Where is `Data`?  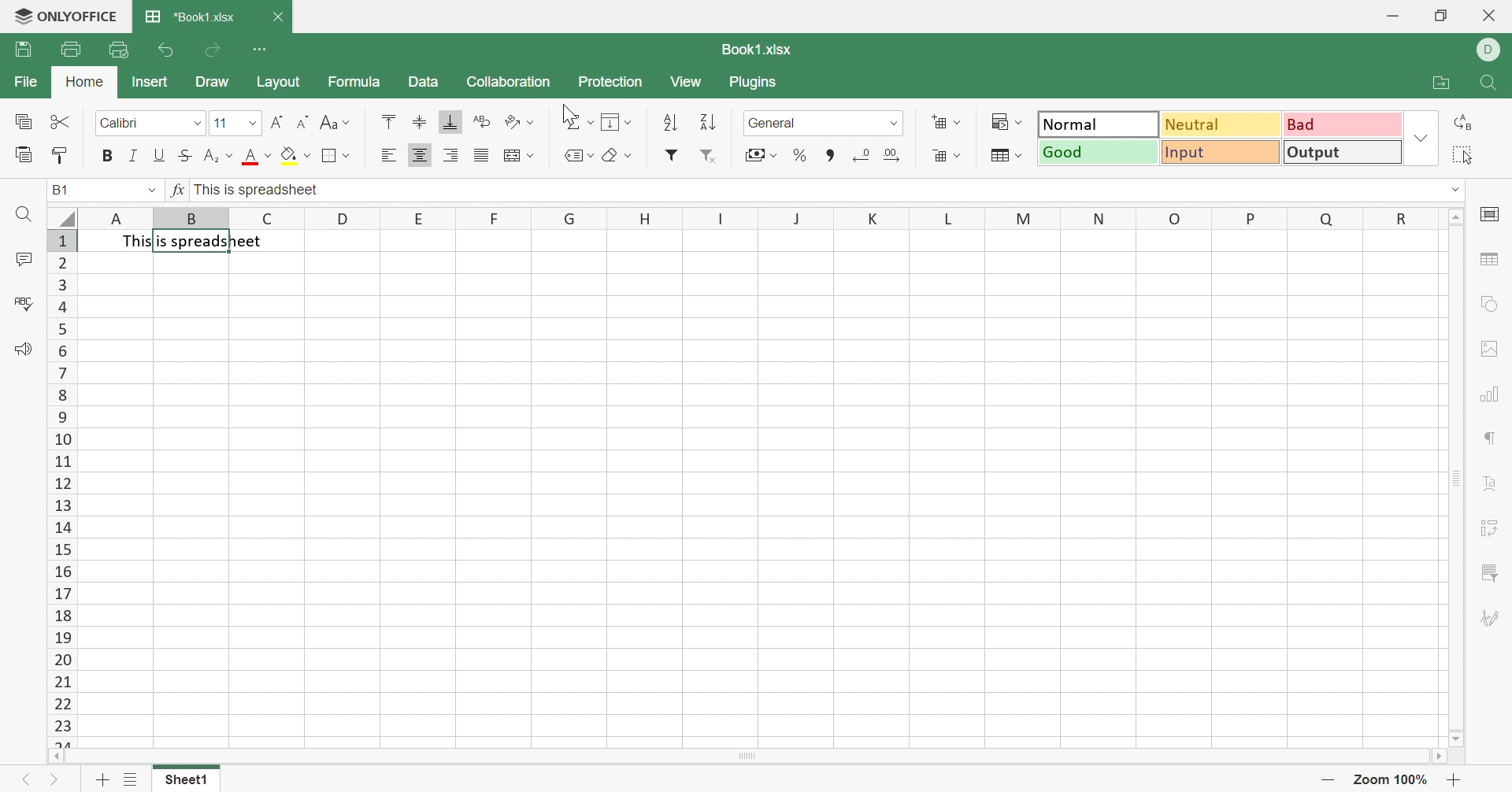 Data is located at coordinates (424, 82).